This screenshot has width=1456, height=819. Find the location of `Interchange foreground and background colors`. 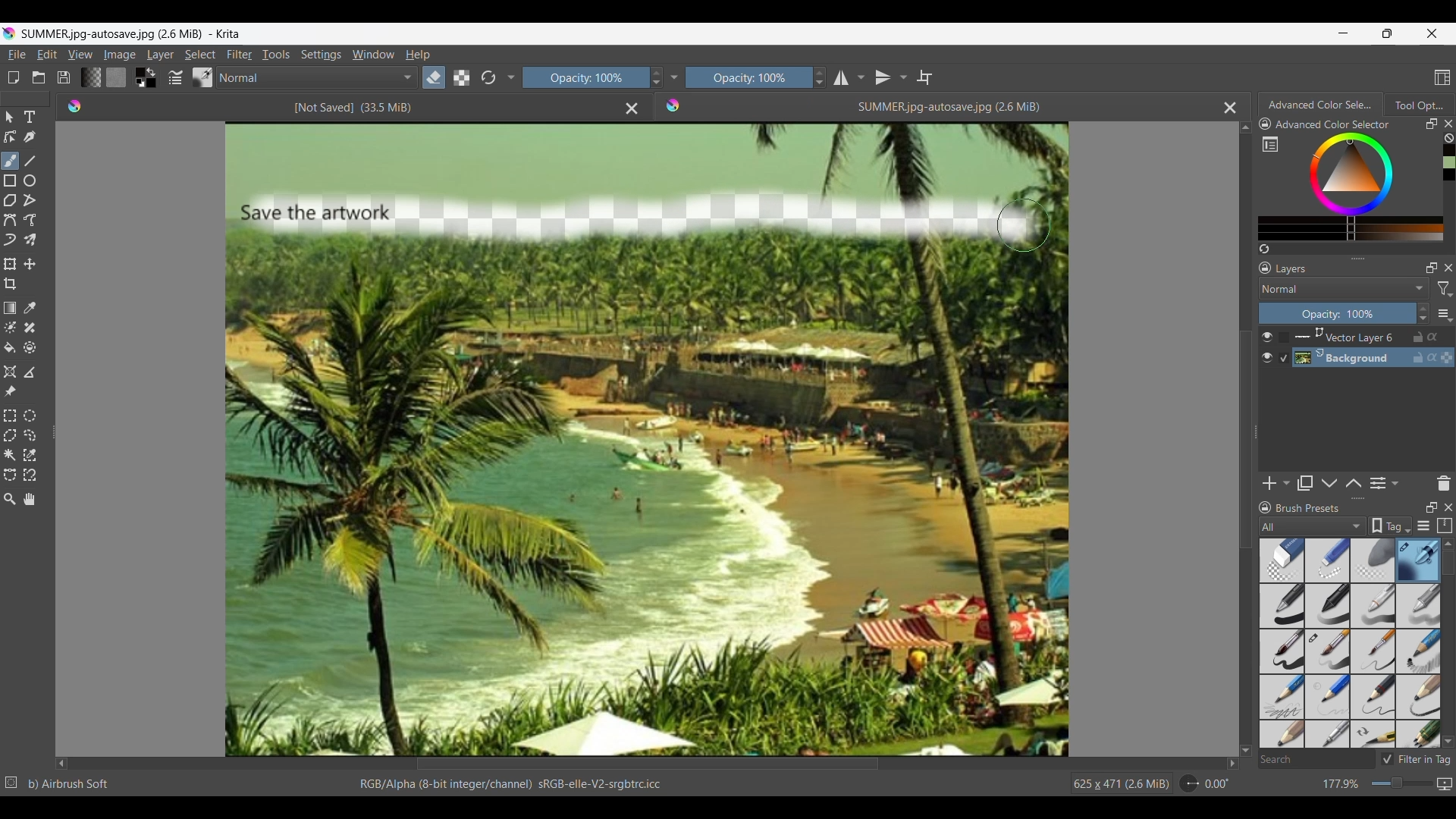

Interchange foreground and background colors is located at coordinates (153, 72).